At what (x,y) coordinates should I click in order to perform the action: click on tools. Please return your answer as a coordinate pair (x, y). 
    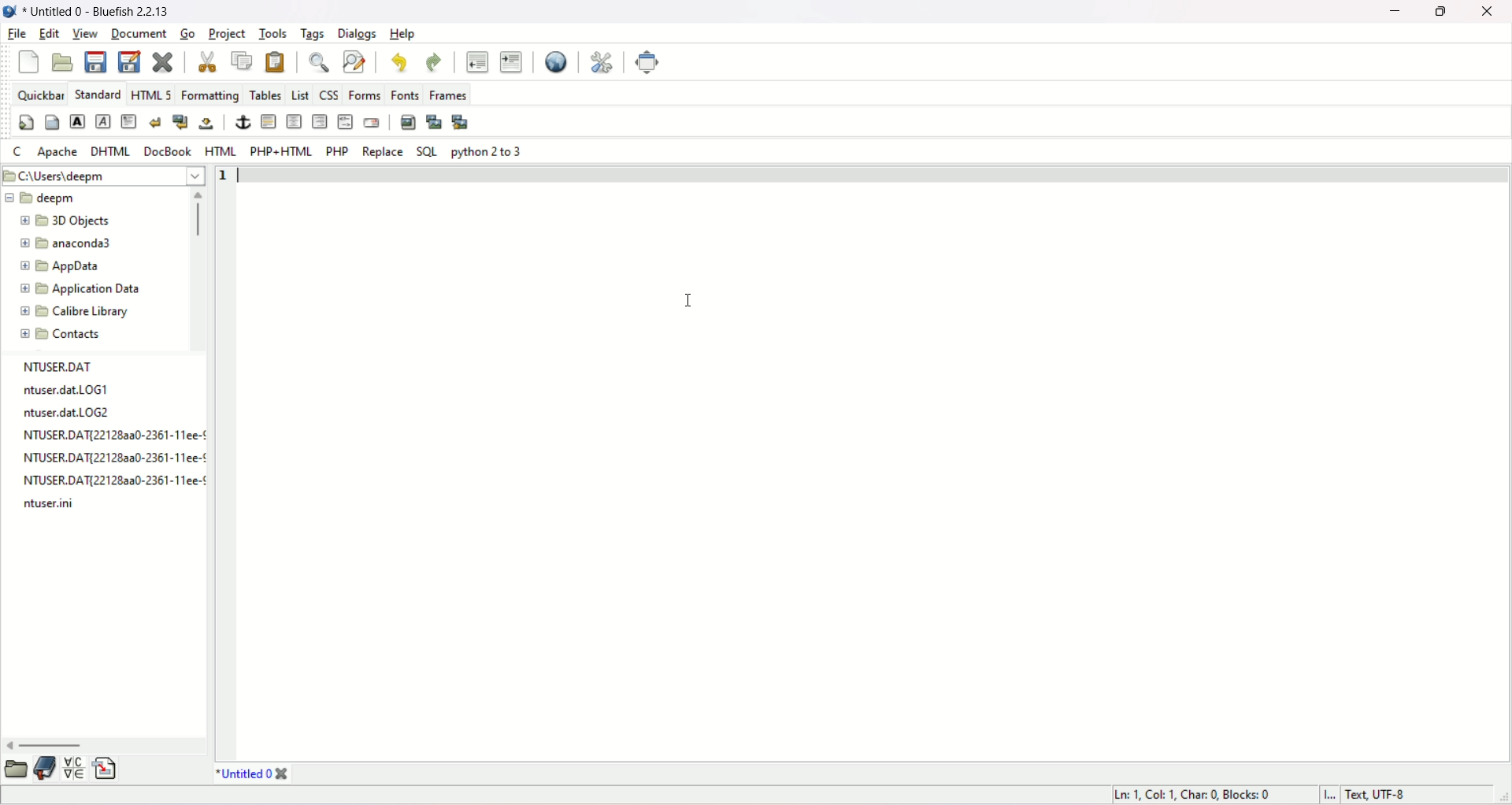
    Looking at the image, I should click on (274, 34).